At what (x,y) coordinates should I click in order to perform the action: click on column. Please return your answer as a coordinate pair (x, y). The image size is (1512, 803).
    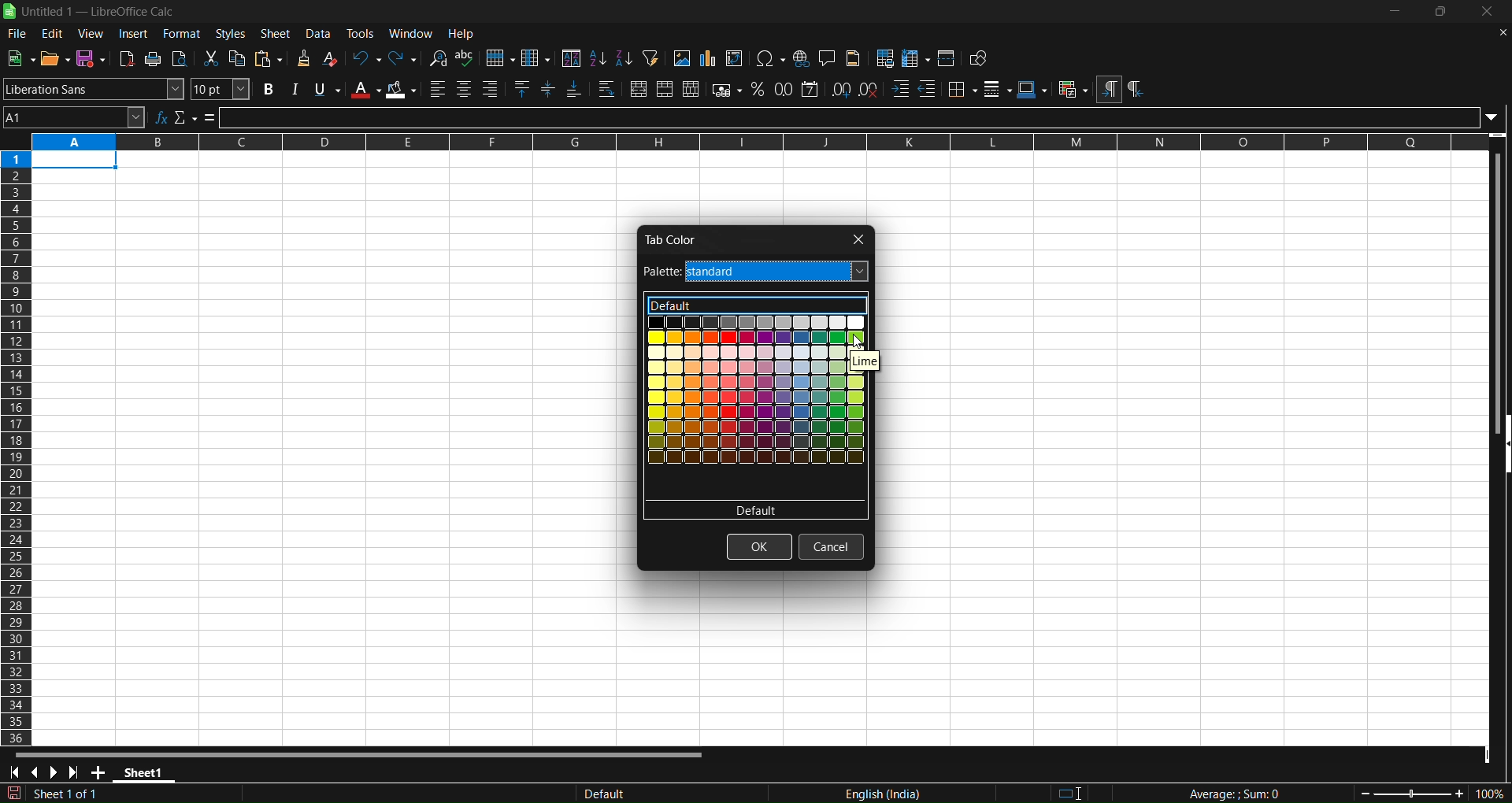
    Looking at the image, I should click on (537, 57).